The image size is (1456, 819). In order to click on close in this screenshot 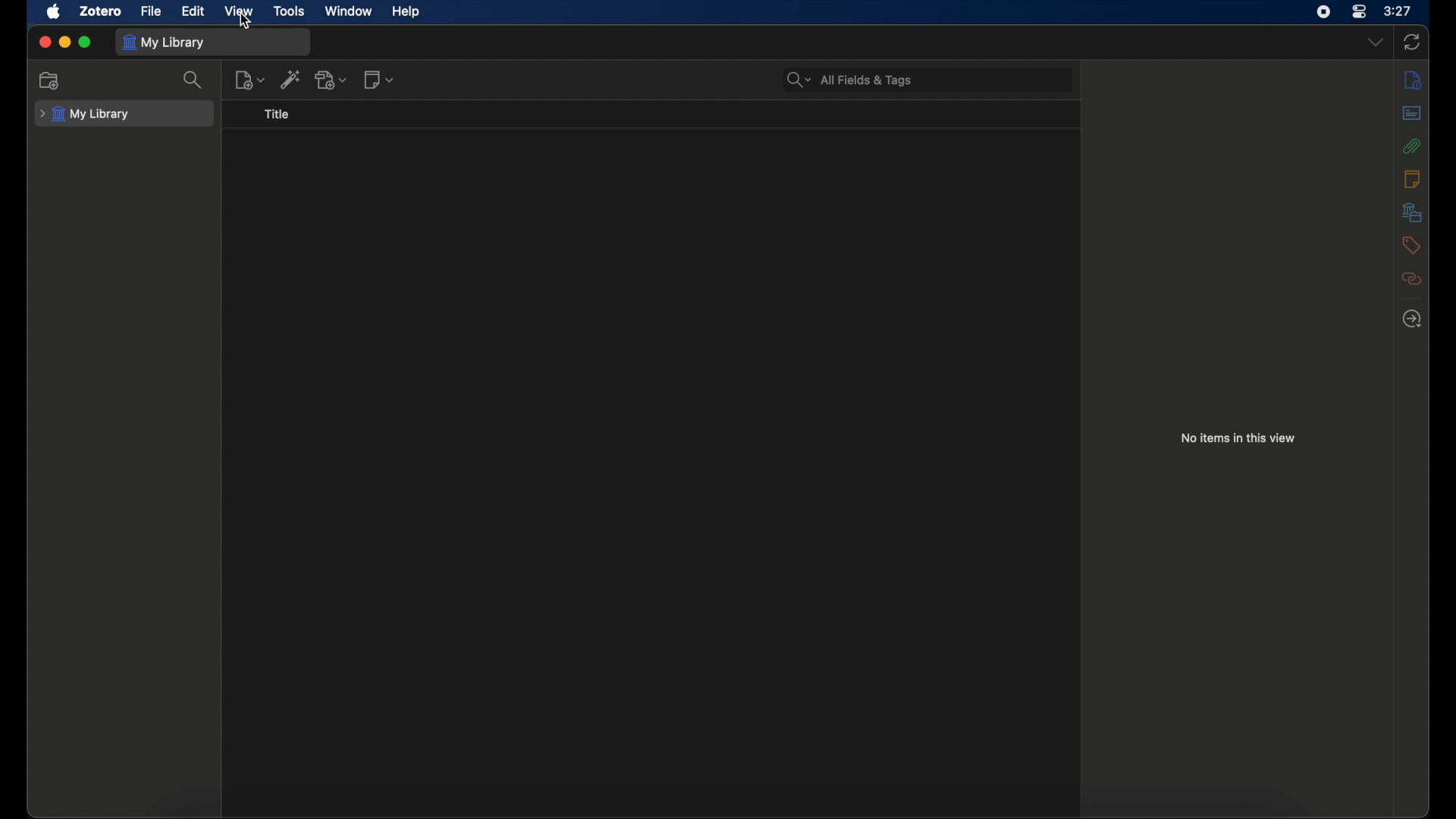, I will do `click(44, 42)`.